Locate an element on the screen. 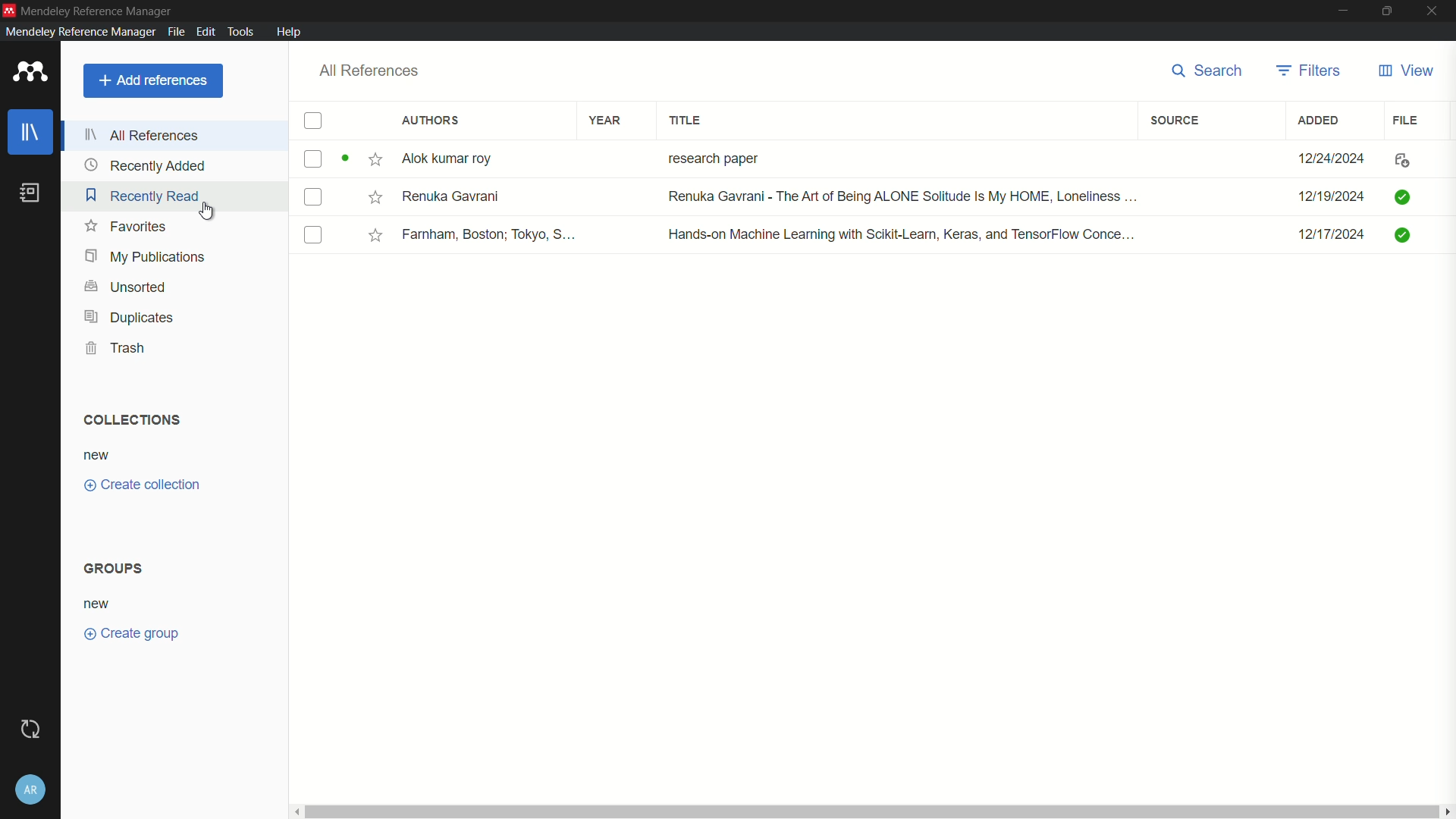 The height and width of the screenshot is (819, 1456). Toggle favorites is located at coordinates (375, 237).